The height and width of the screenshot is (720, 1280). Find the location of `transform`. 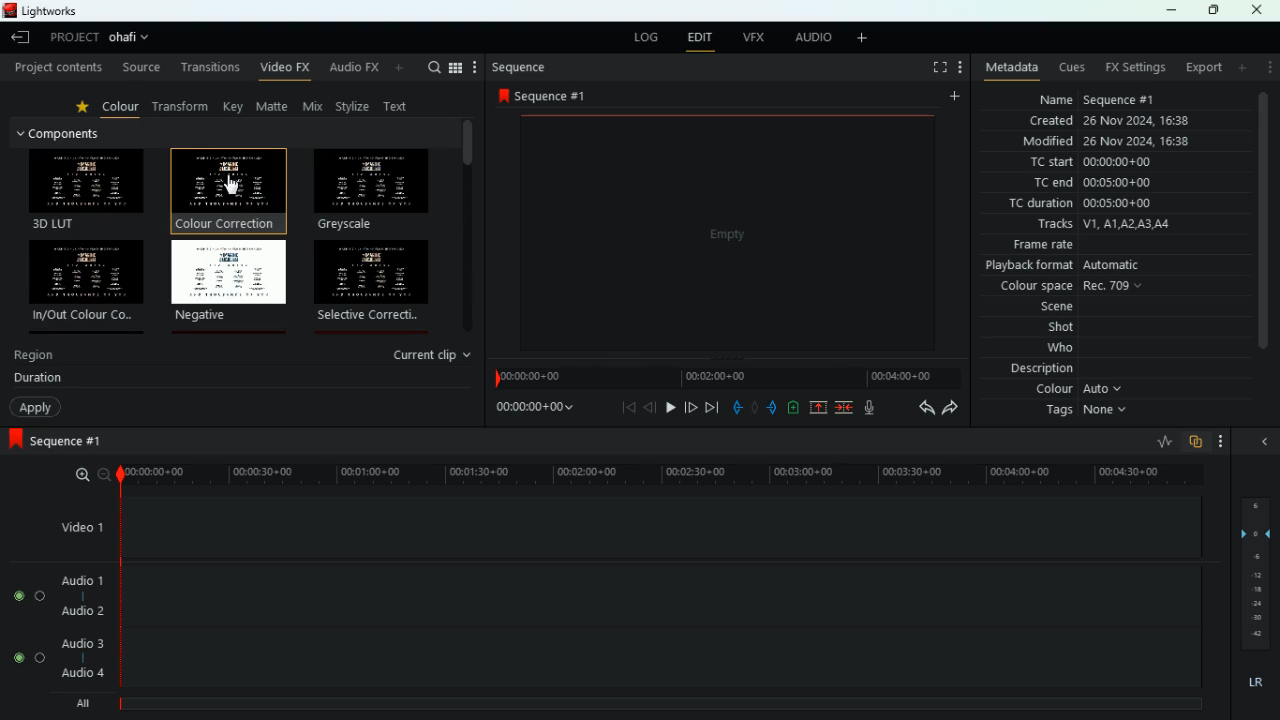

transform is located at coordinates (185, 107).